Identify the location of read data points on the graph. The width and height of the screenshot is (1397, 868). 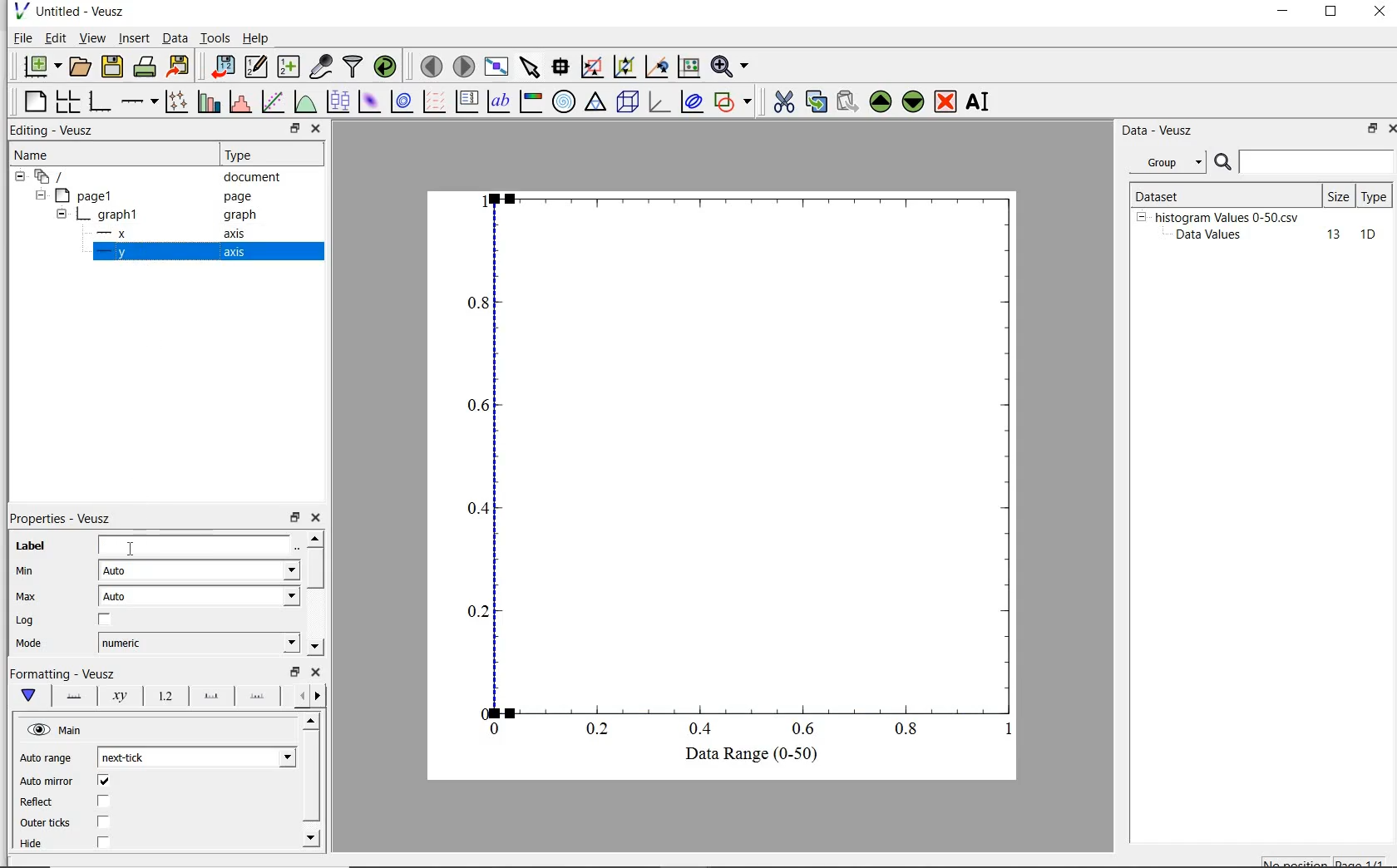
(562, 67).